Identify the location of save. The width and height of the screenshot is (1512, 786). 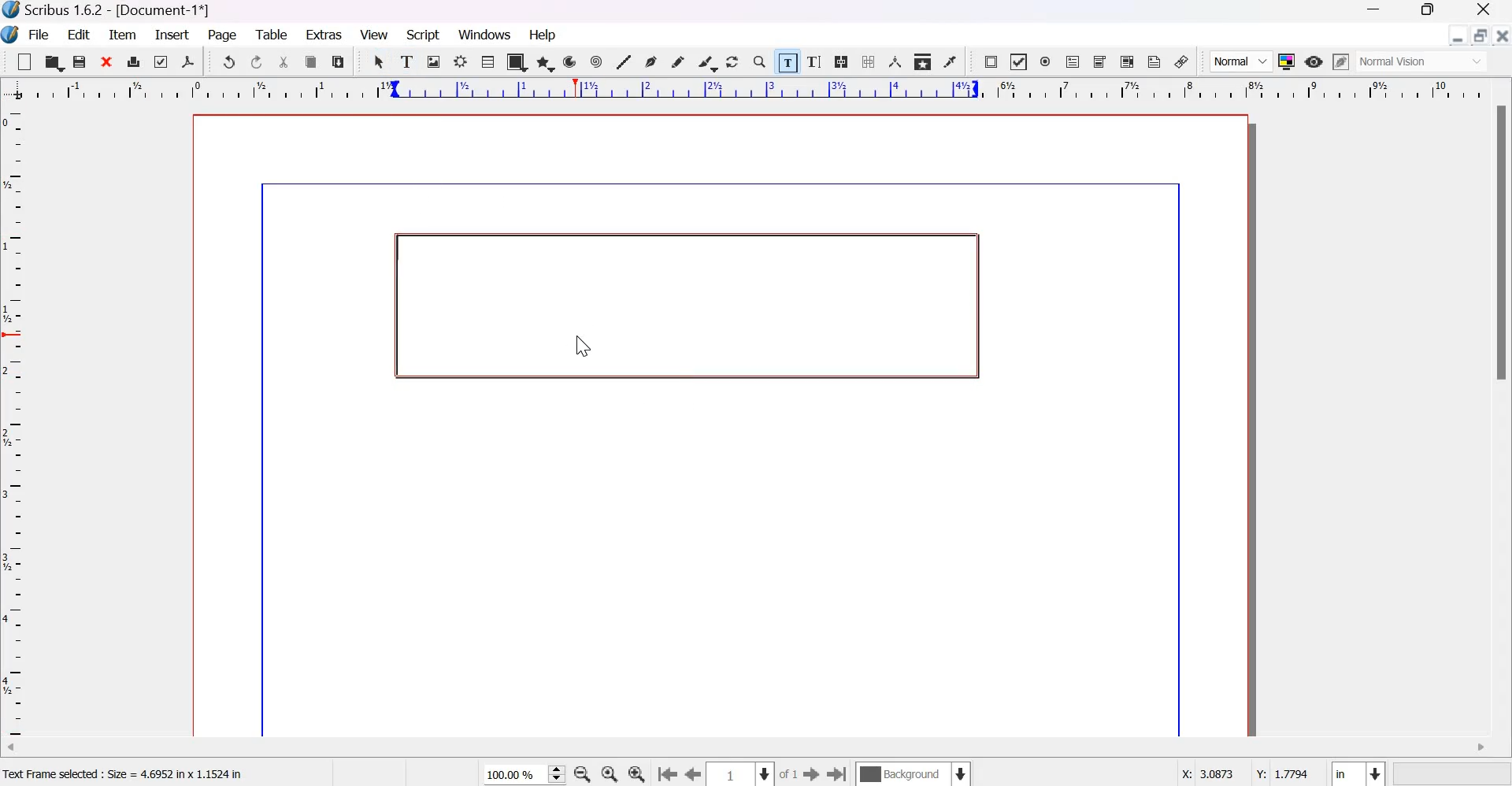
(80, 61).